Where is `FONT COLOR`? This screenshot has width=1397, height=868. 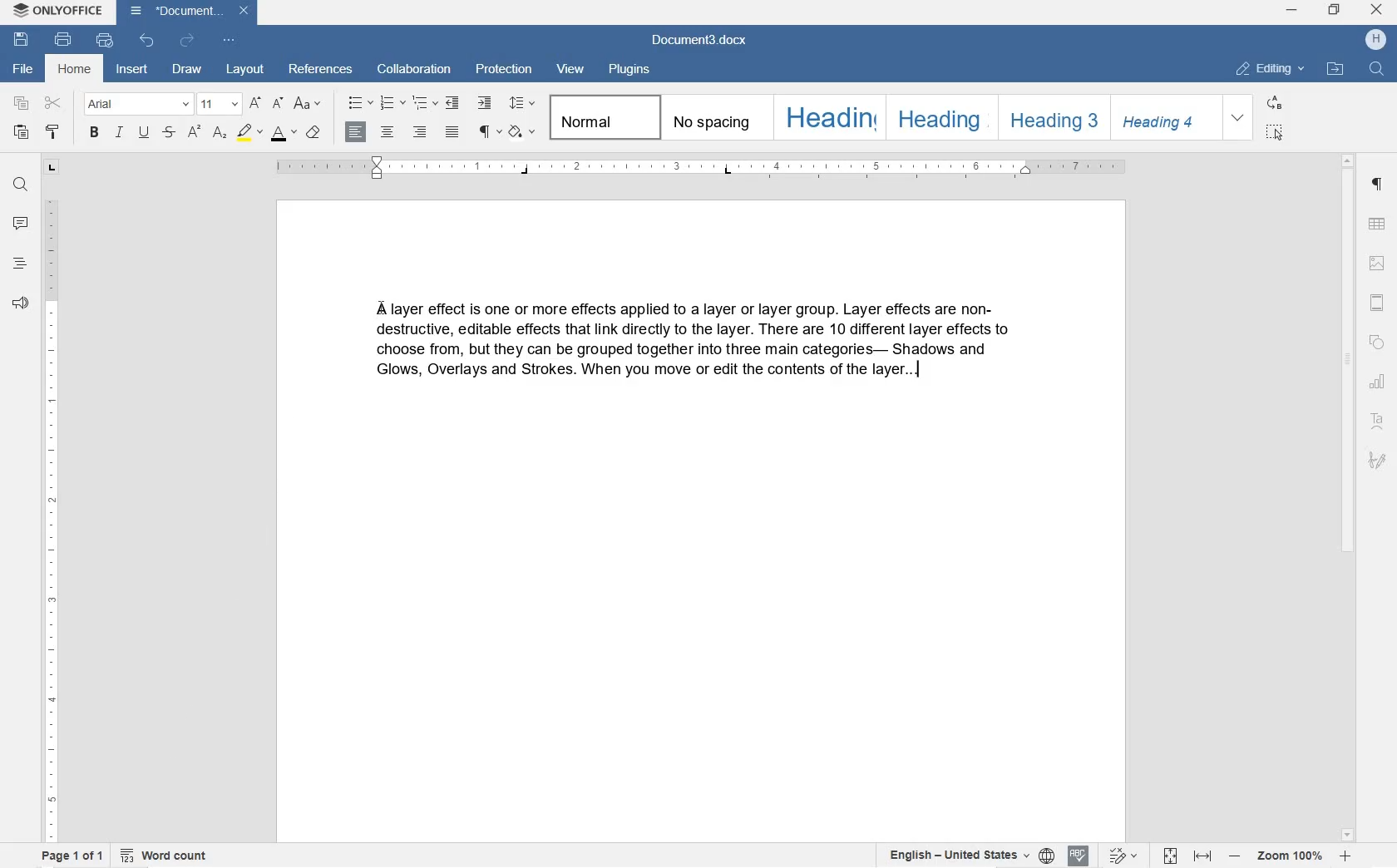 FONT COLOR is located at coordinates (281, 133).